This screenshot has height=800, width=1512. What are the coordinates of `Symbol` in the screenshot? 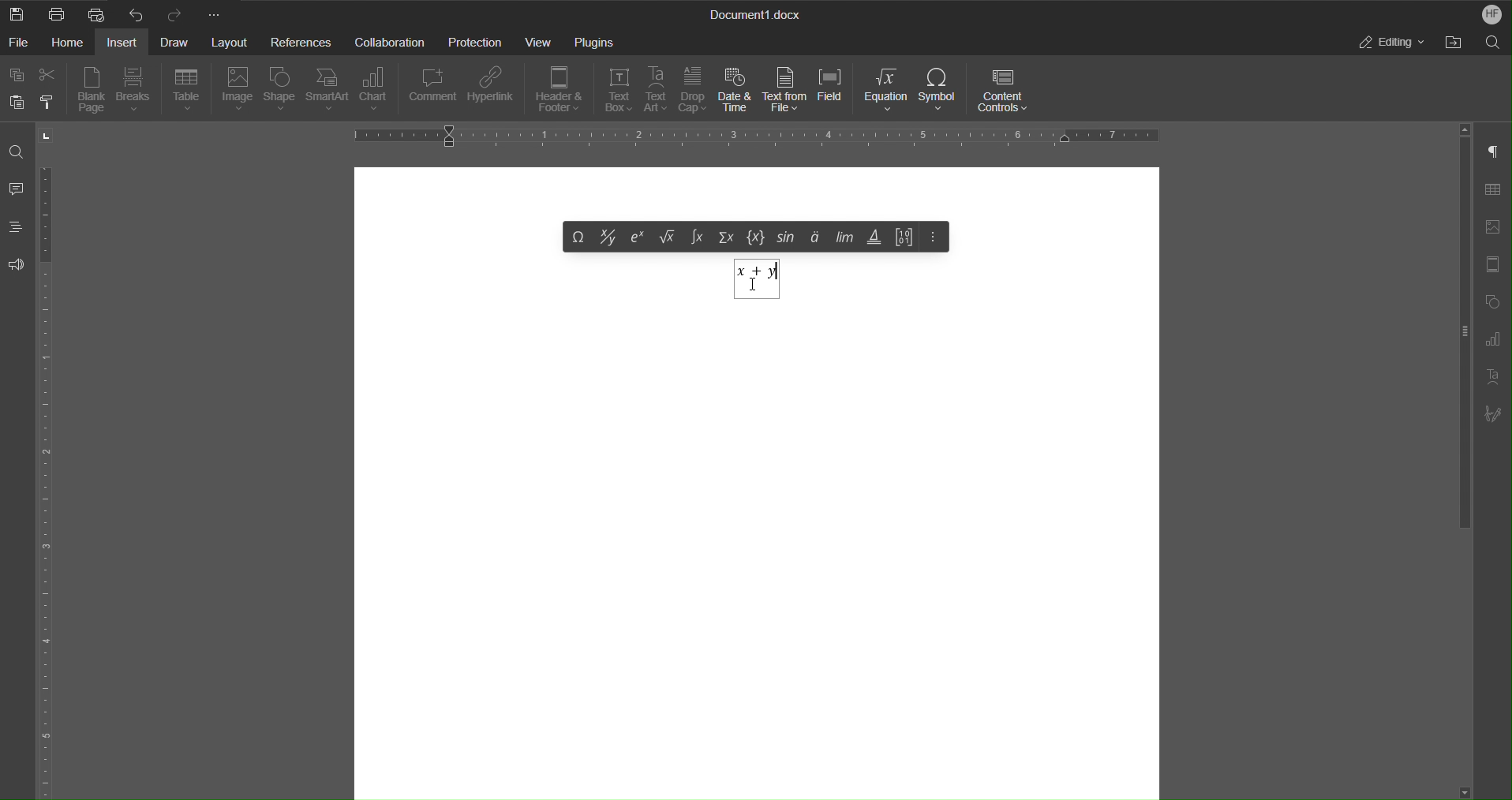 It's located at (939, 90).